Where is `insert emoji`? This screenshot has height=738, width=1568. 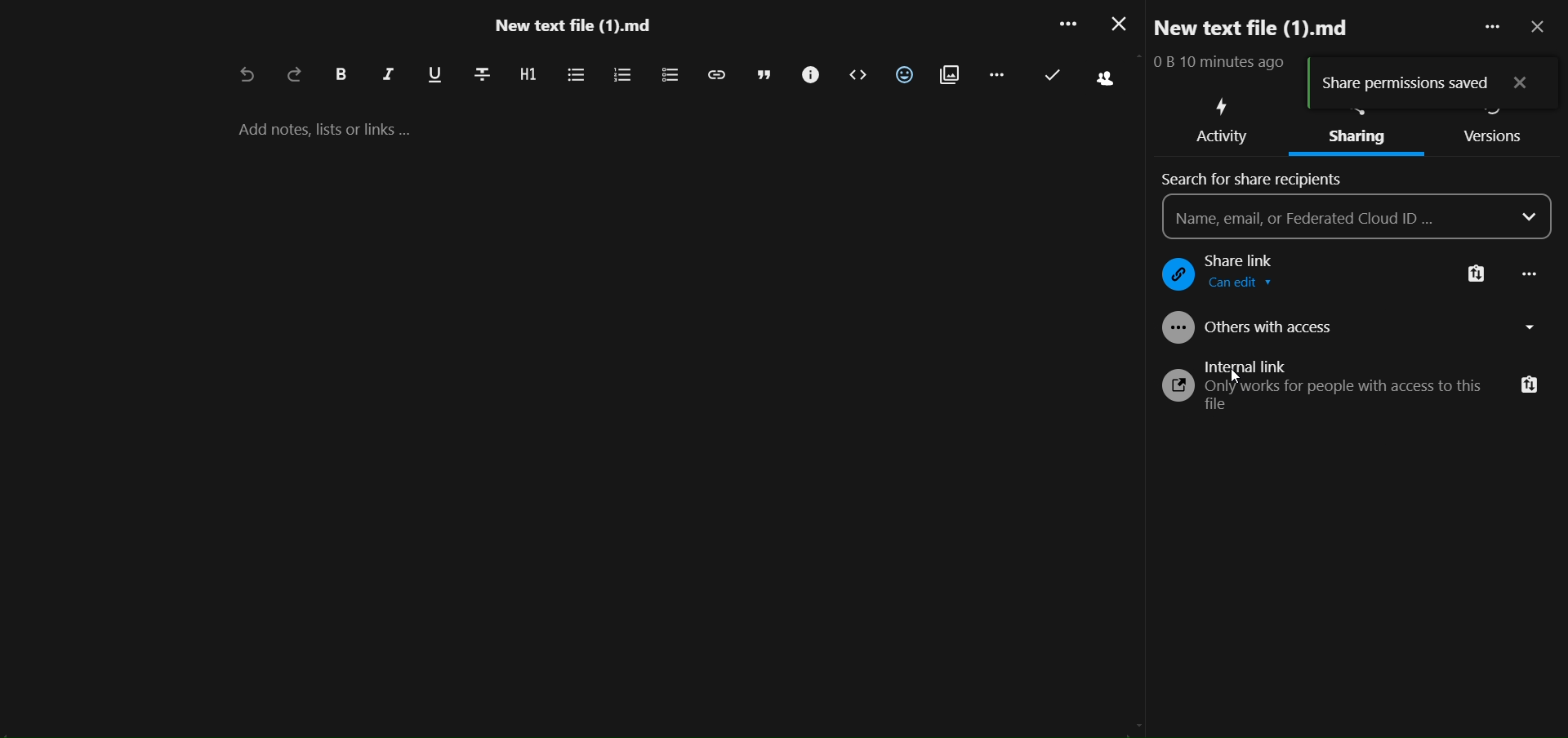
insert emoji is located at coordinates (904, 74).